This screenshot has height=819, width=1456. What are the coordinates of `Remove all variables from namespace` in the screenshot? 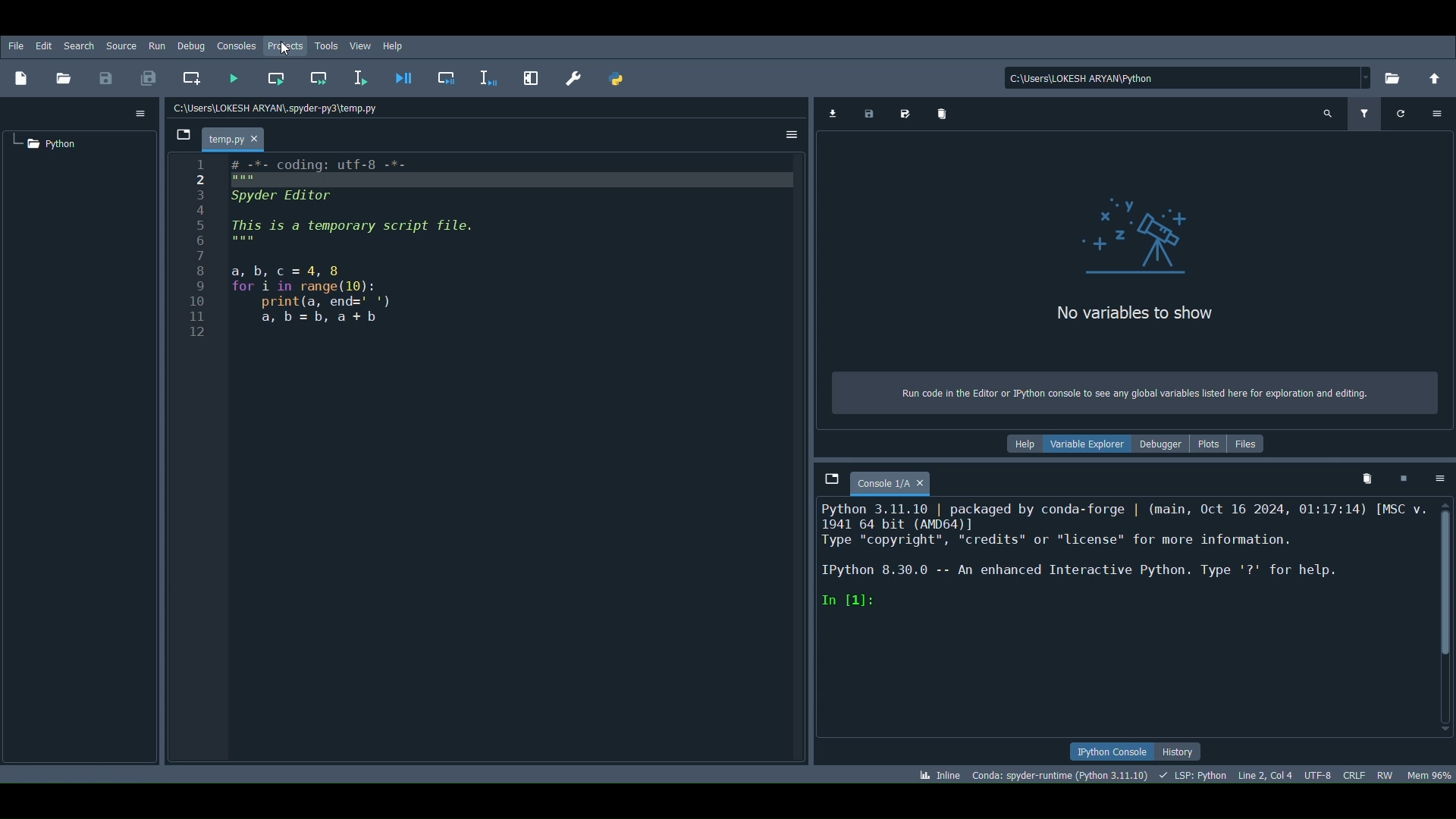 It's located at (1370, 478).